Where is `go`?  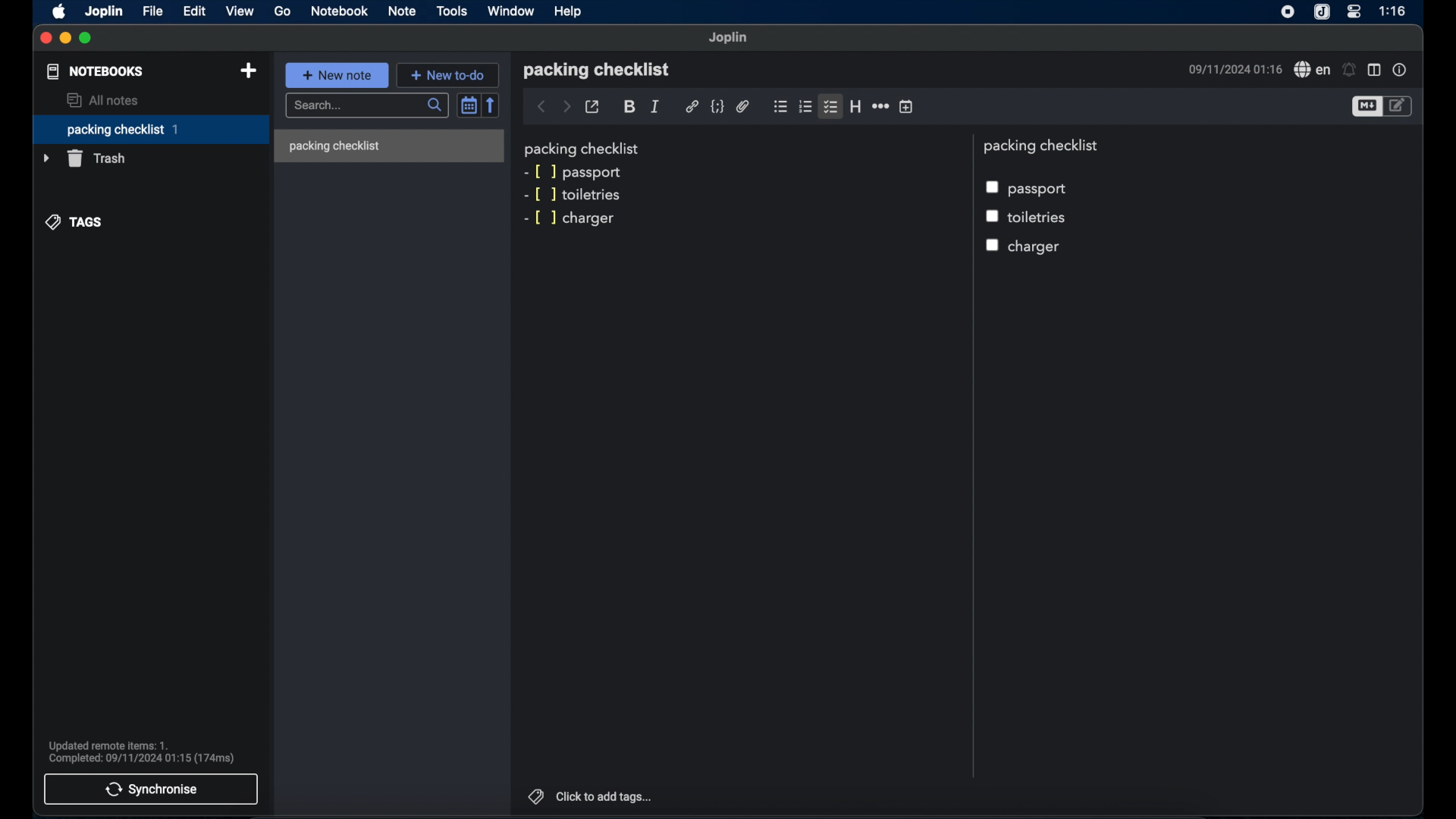
go is located at coordinates (282, 11).